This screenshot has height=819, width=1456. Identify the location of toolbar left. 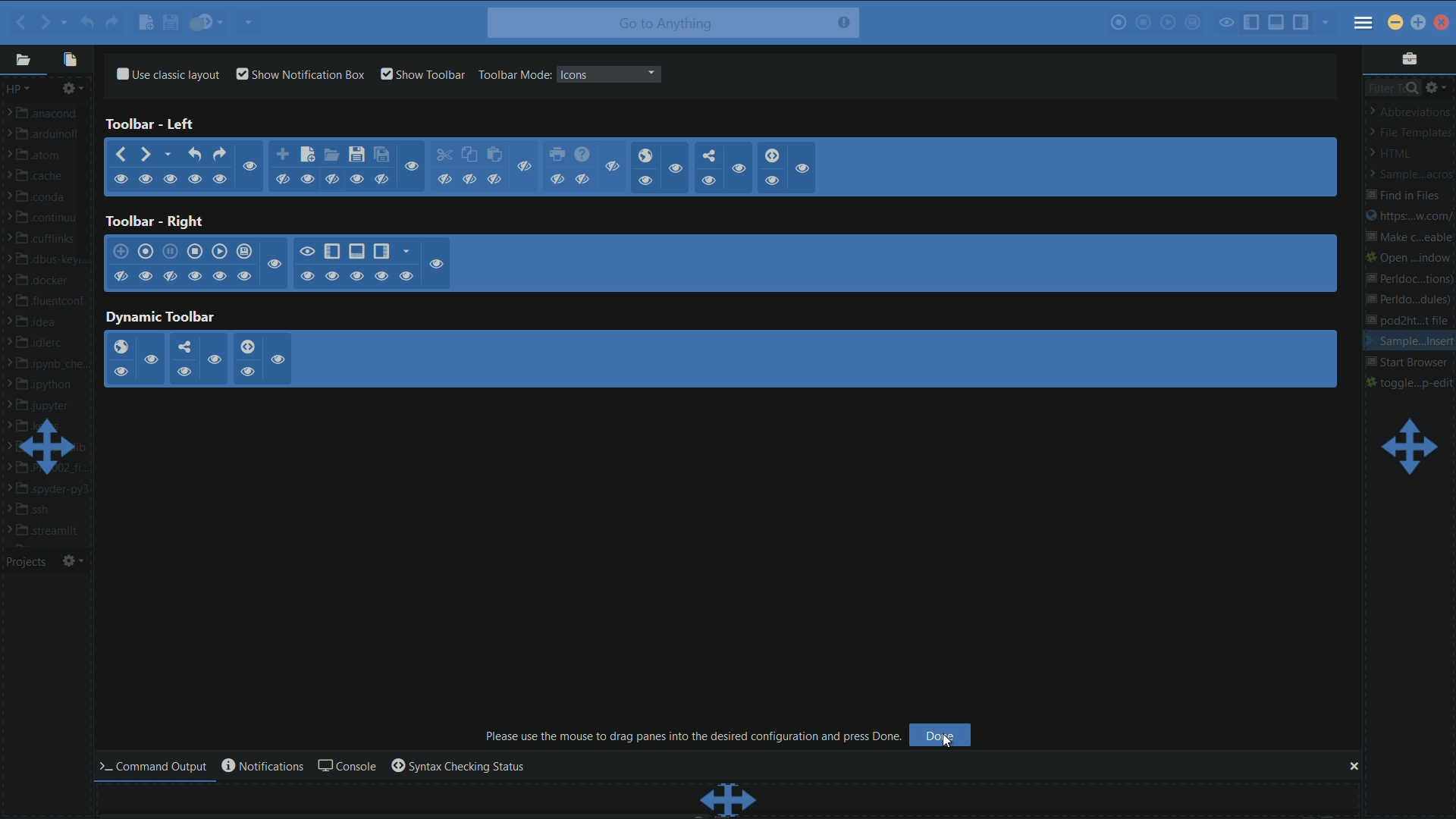
(152, 124).